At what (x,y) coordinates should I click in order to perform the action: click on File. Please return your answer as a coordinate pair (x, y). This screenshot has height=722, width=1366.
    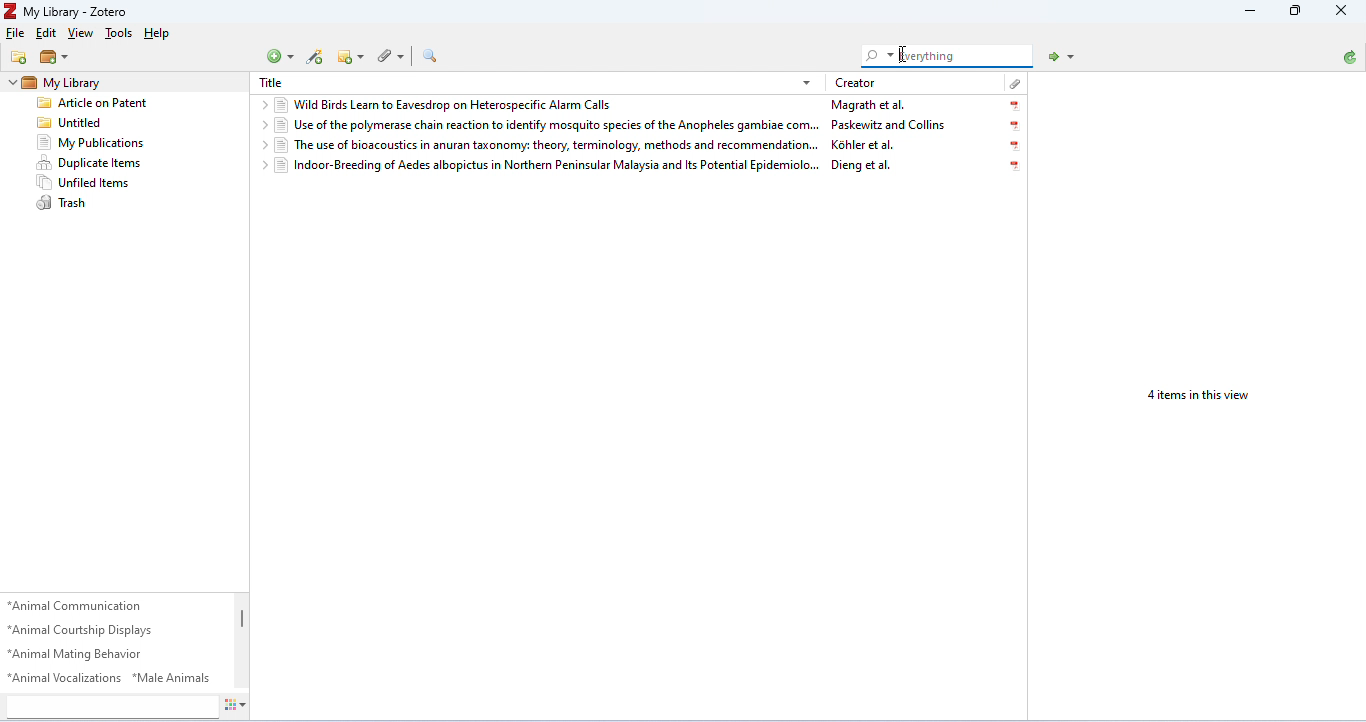
    Looking at the image, I should click on (14, 34).